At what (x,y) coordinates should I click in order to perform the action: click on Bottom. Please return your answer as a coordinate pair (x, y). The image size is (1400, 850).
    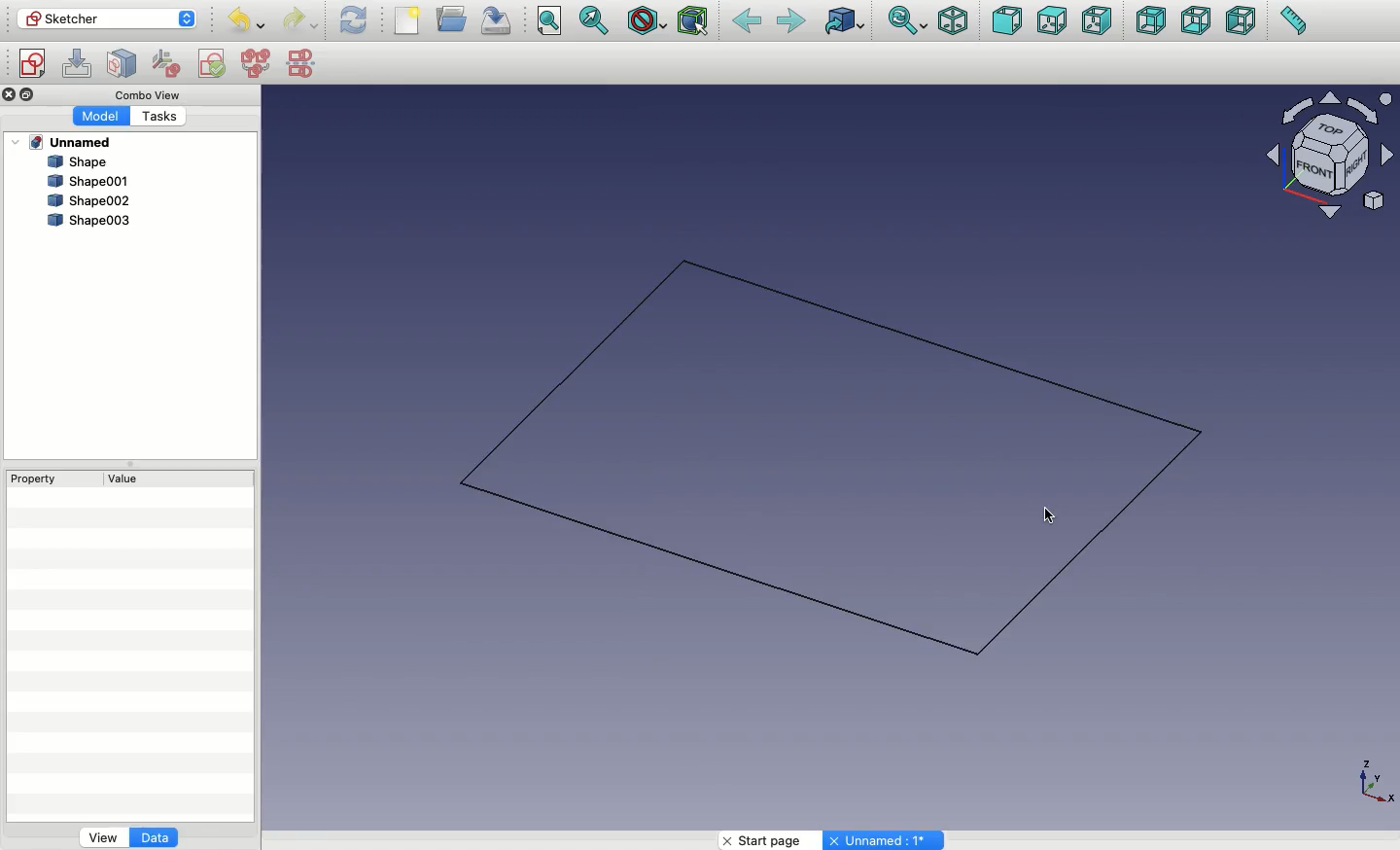
    Looking at the image, I should click on (1196, 22).